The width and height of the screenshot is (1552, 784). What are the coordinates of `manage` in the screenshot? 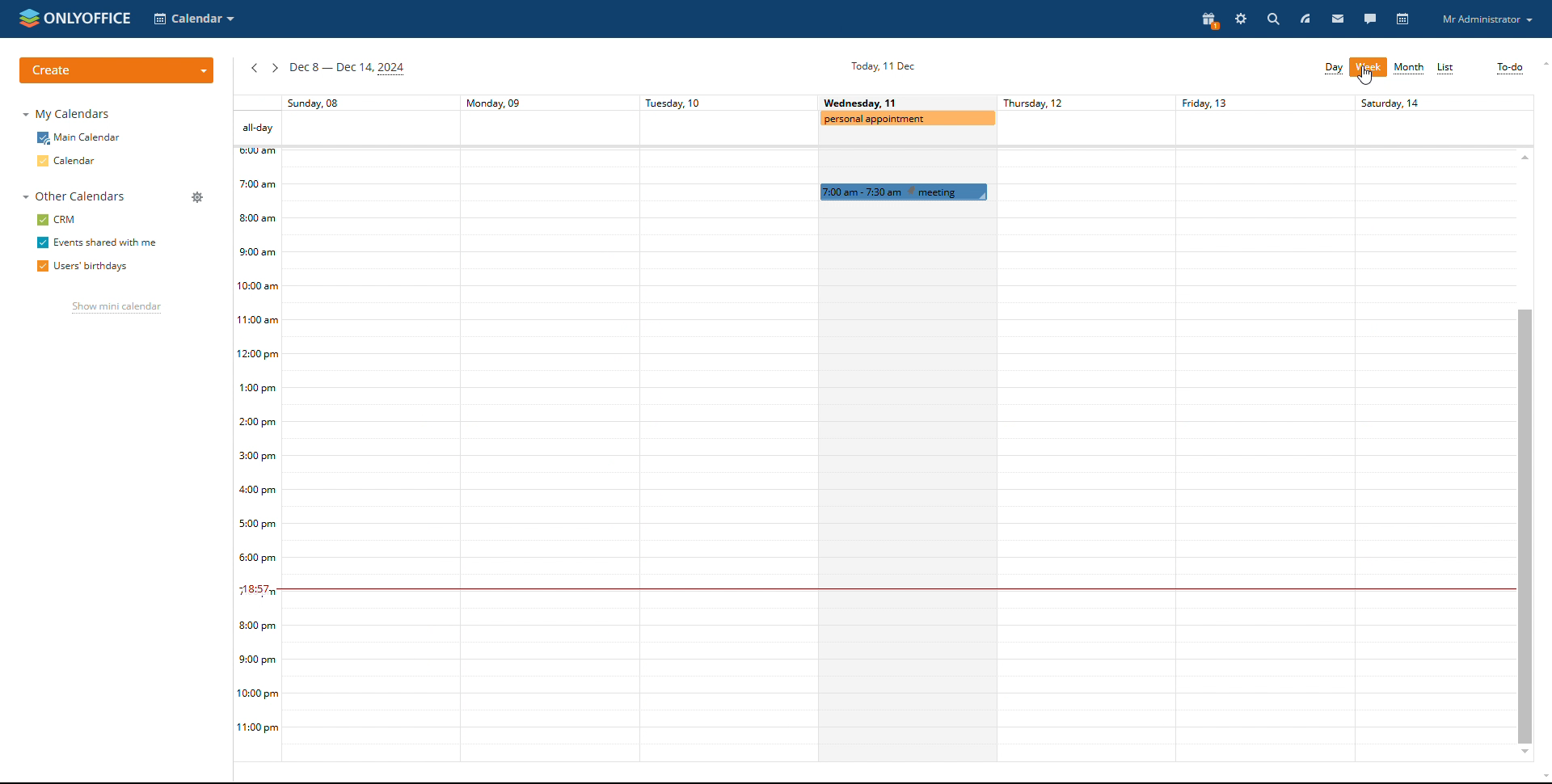 It's located at (198, 197).